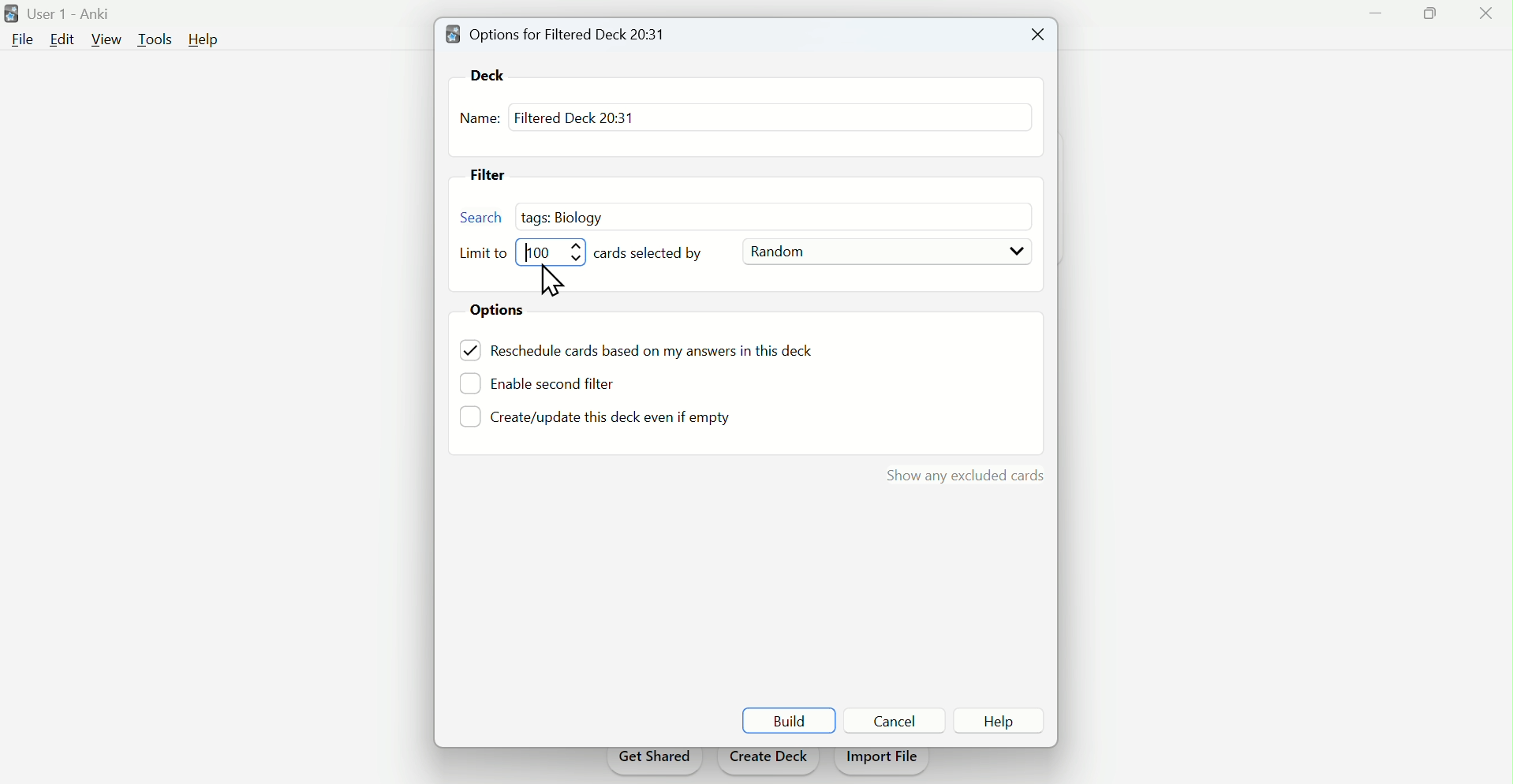  I want to click on reschedule cards based on my answers in this tech, so click(663, 353).